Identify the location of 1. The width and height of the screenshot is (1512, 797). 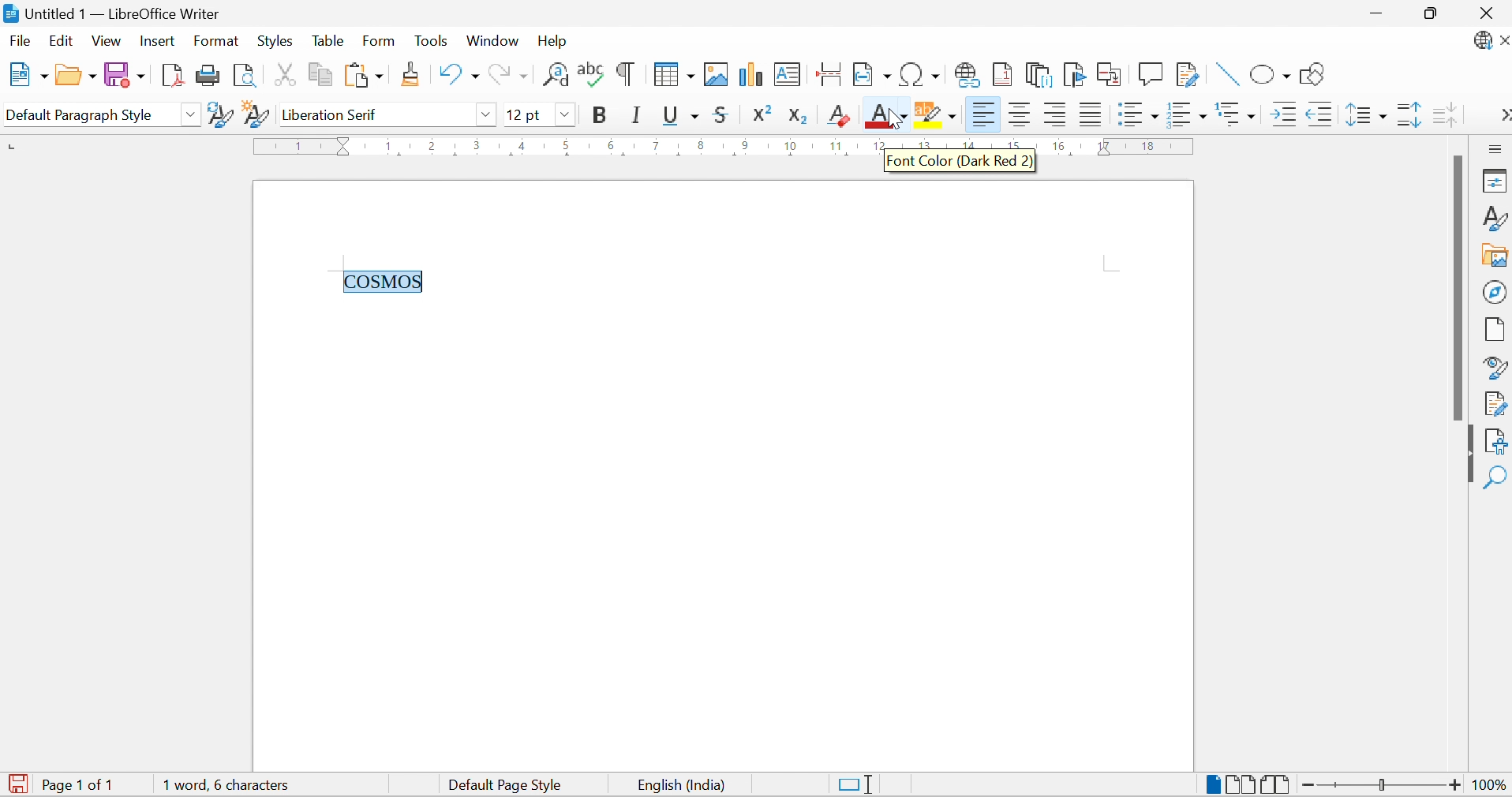
(389, 144).